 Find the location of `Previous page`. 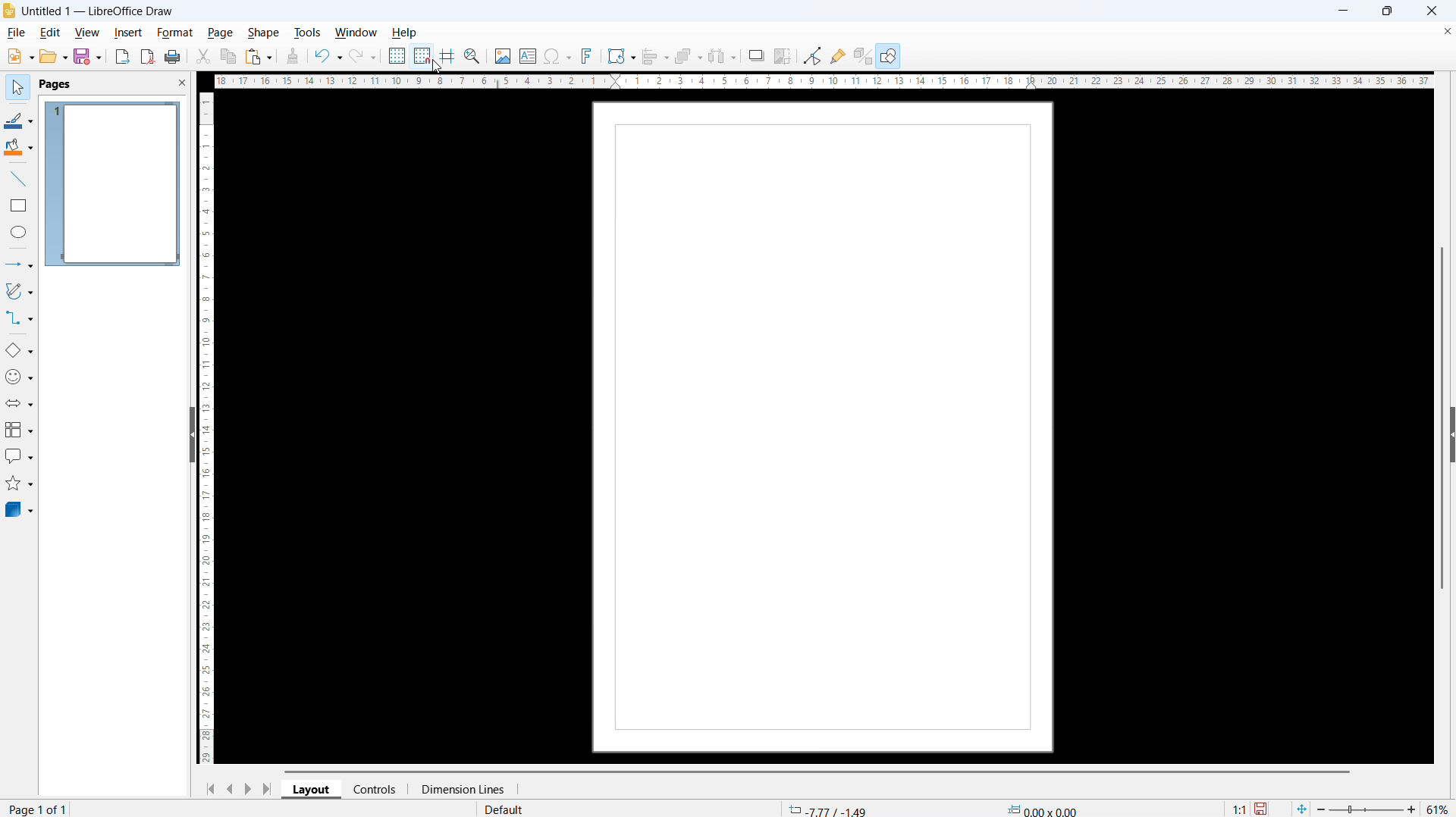

Previous page is located at coordinates (231, 789).